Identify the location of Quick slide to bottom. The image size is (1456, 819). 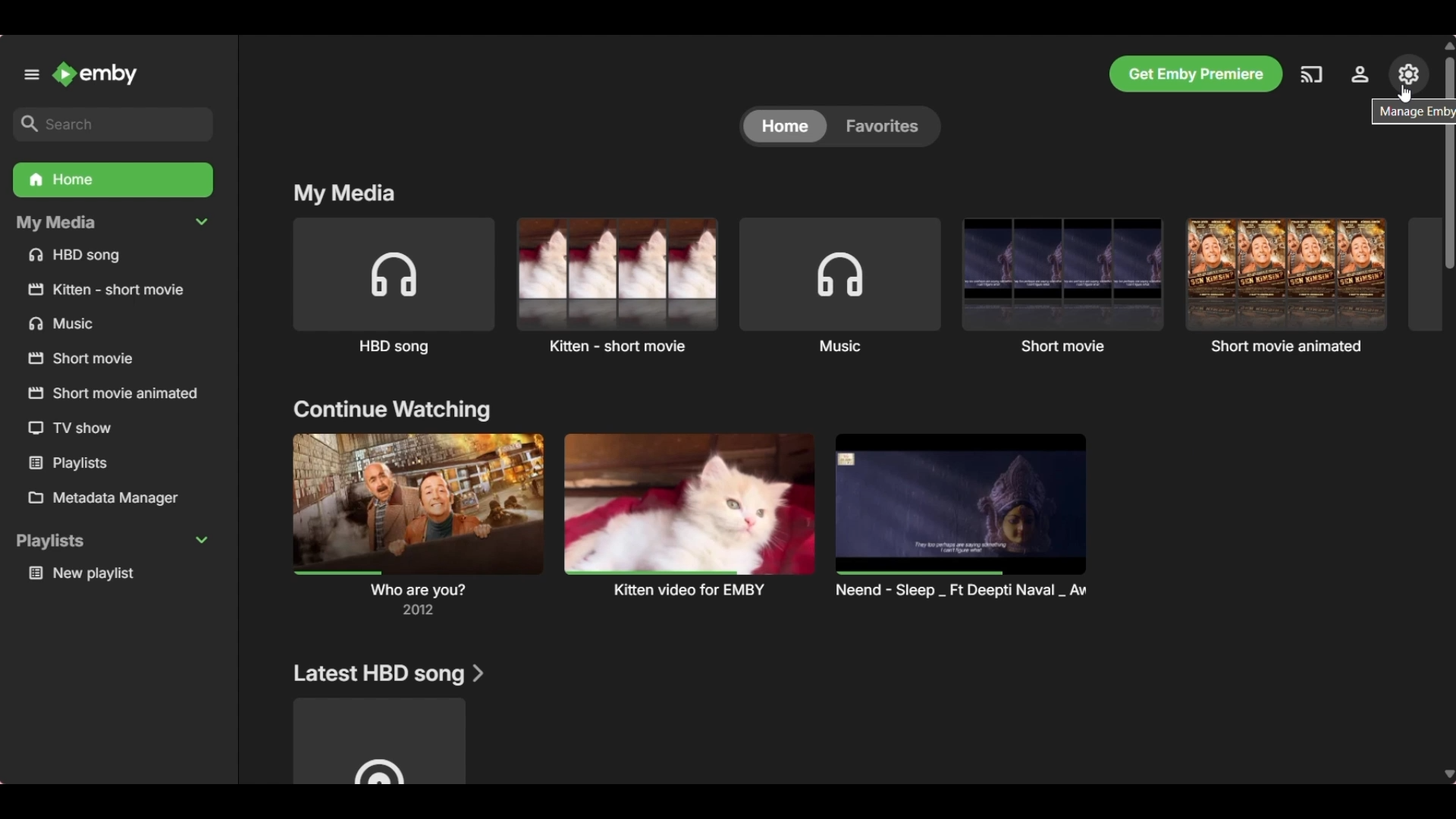
(1449, 775).